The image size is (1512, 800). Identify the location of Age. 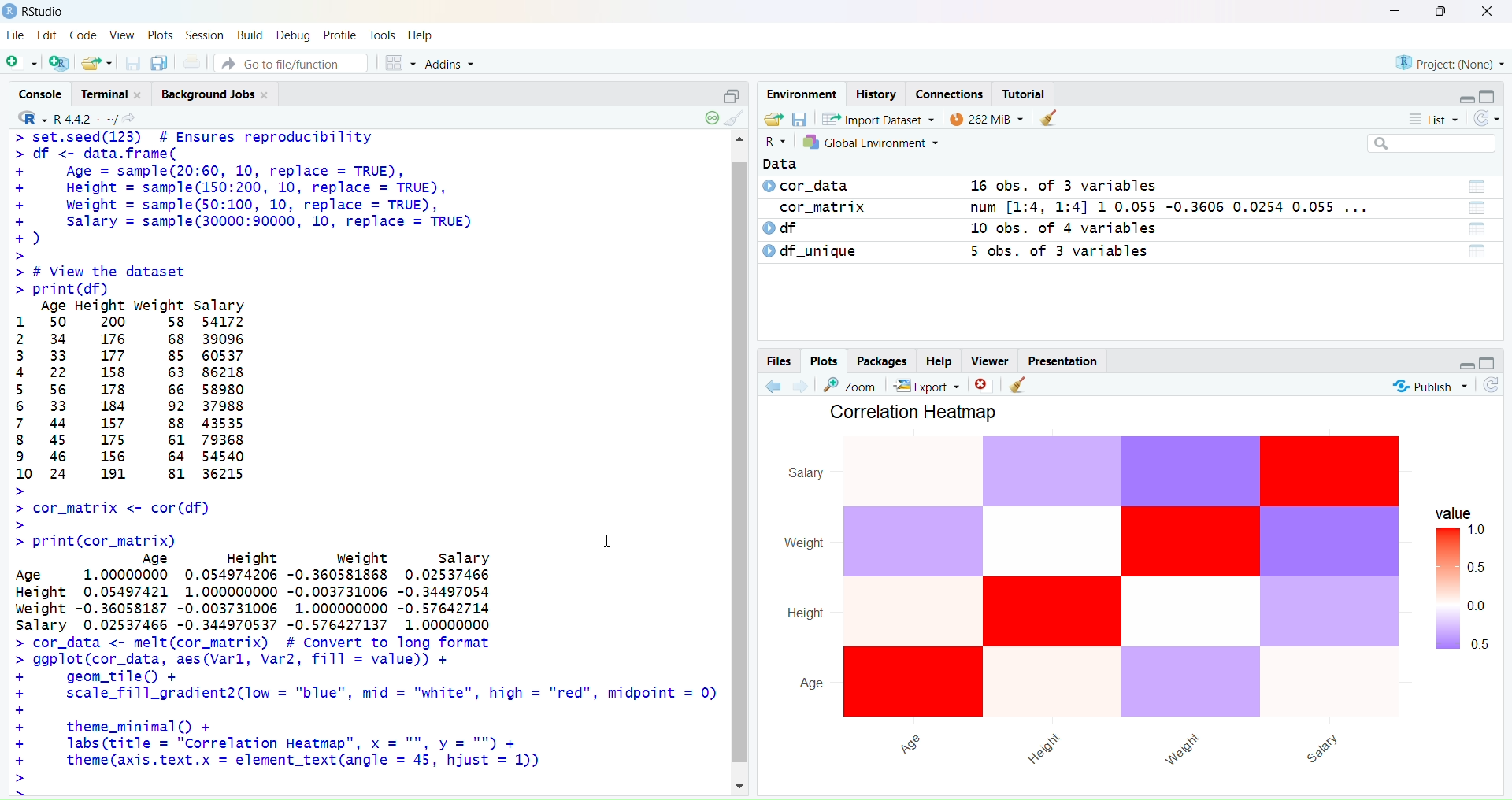
(906, 742).